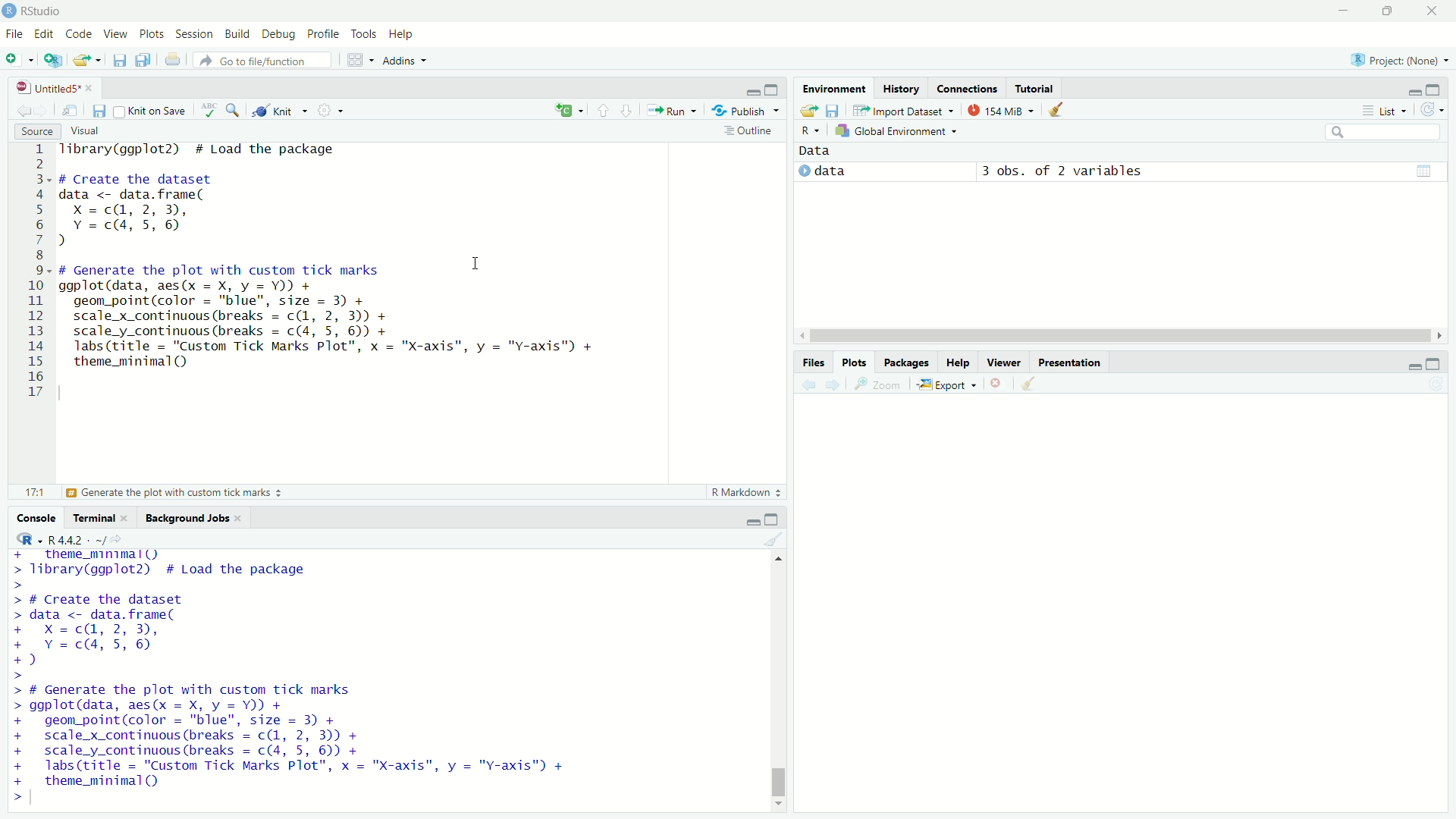 The width and height of the screenshot is (1456, 819). What do you see at coordinates (1398, 56) in the screenshot?
I see `project: (None)` at bounding box center [1398, 56].